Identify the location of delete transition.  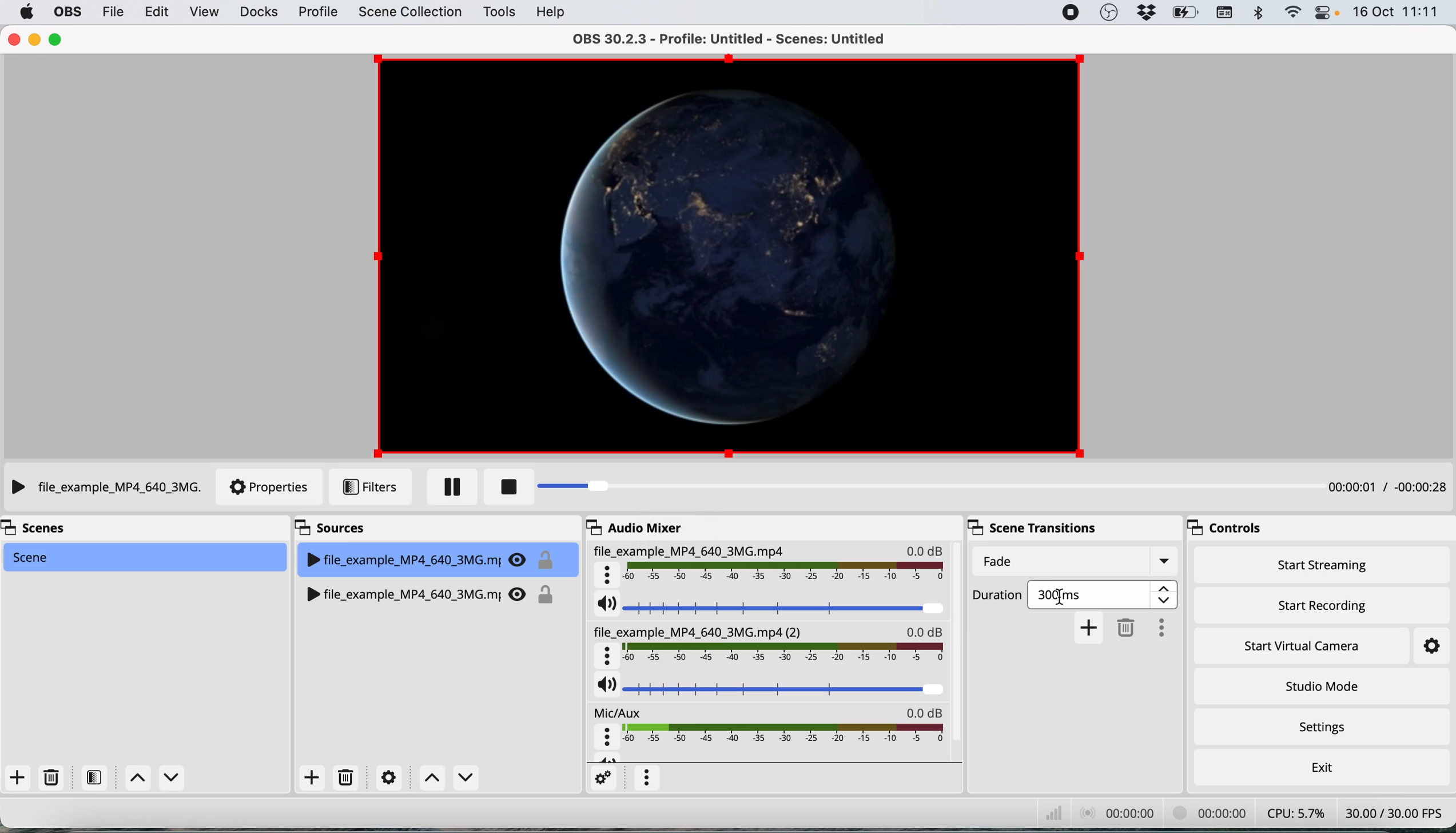
(1125, 629).